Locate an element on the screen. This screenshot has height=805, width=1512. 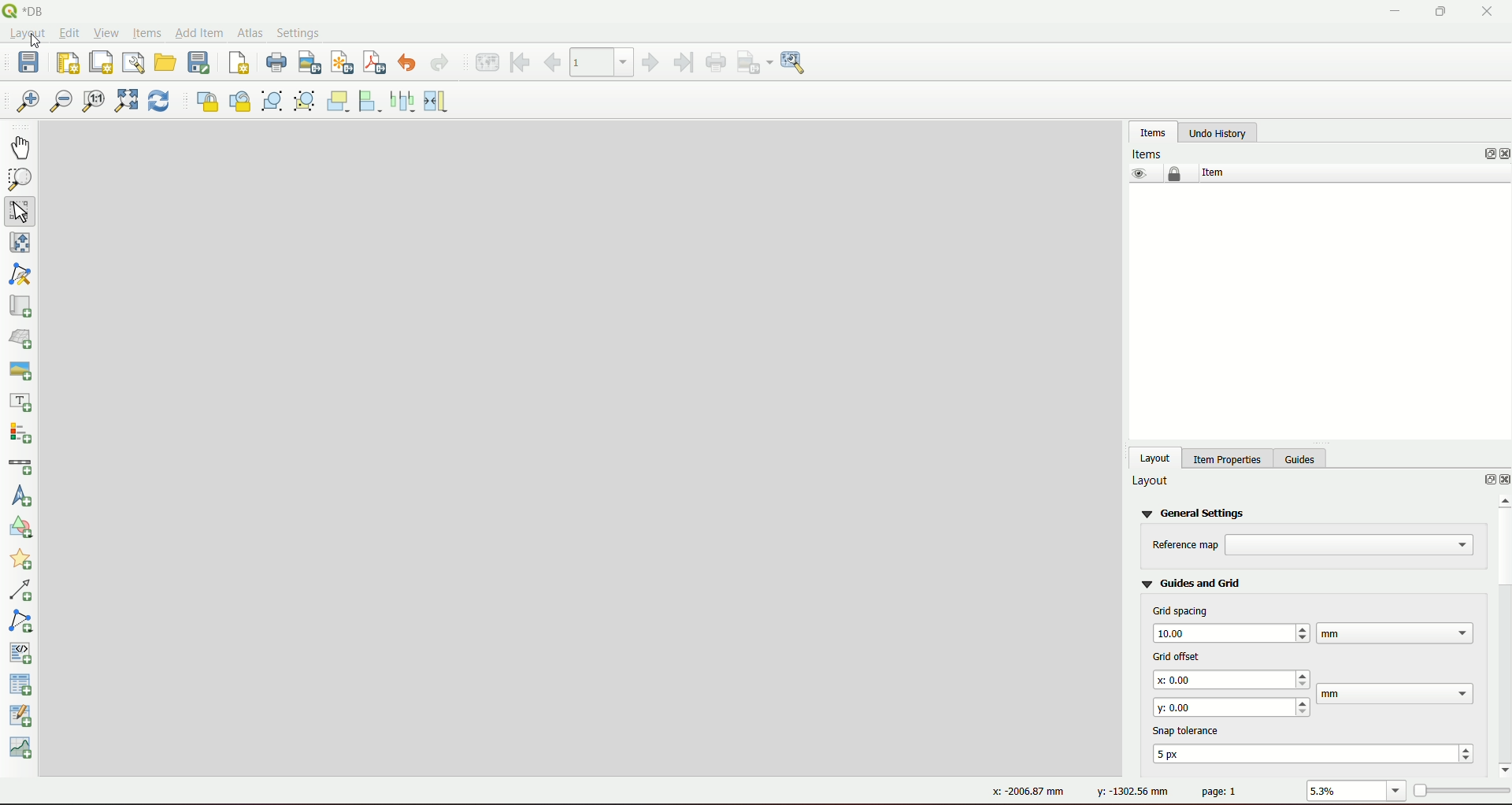
zoom full is located at coordinates (124, 102).